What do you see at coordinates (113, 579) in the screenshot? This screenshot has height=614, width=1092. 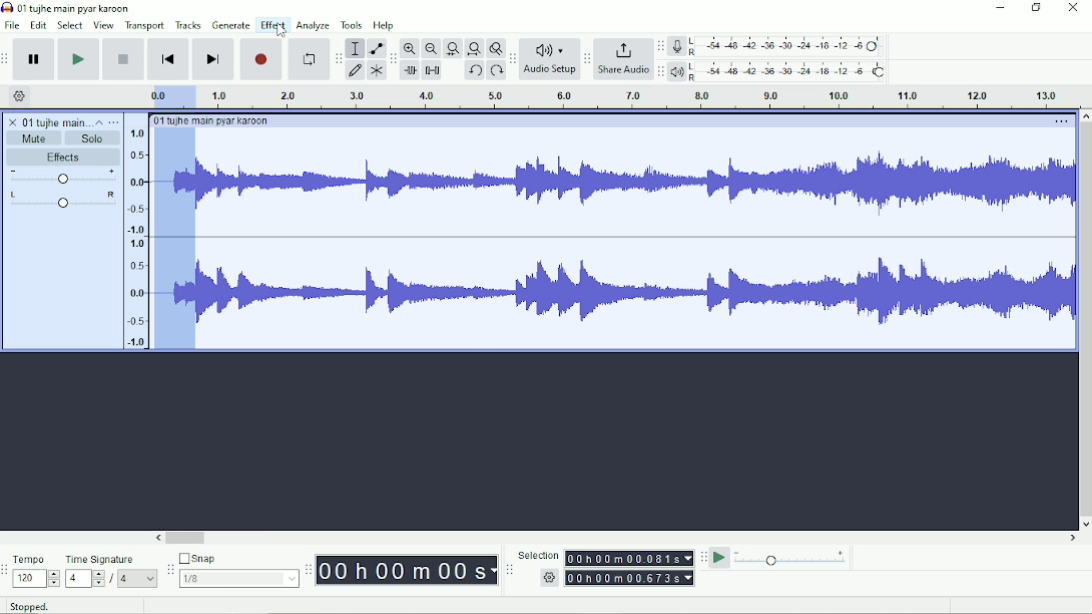 I see `/` at bounding box center [113, 579].